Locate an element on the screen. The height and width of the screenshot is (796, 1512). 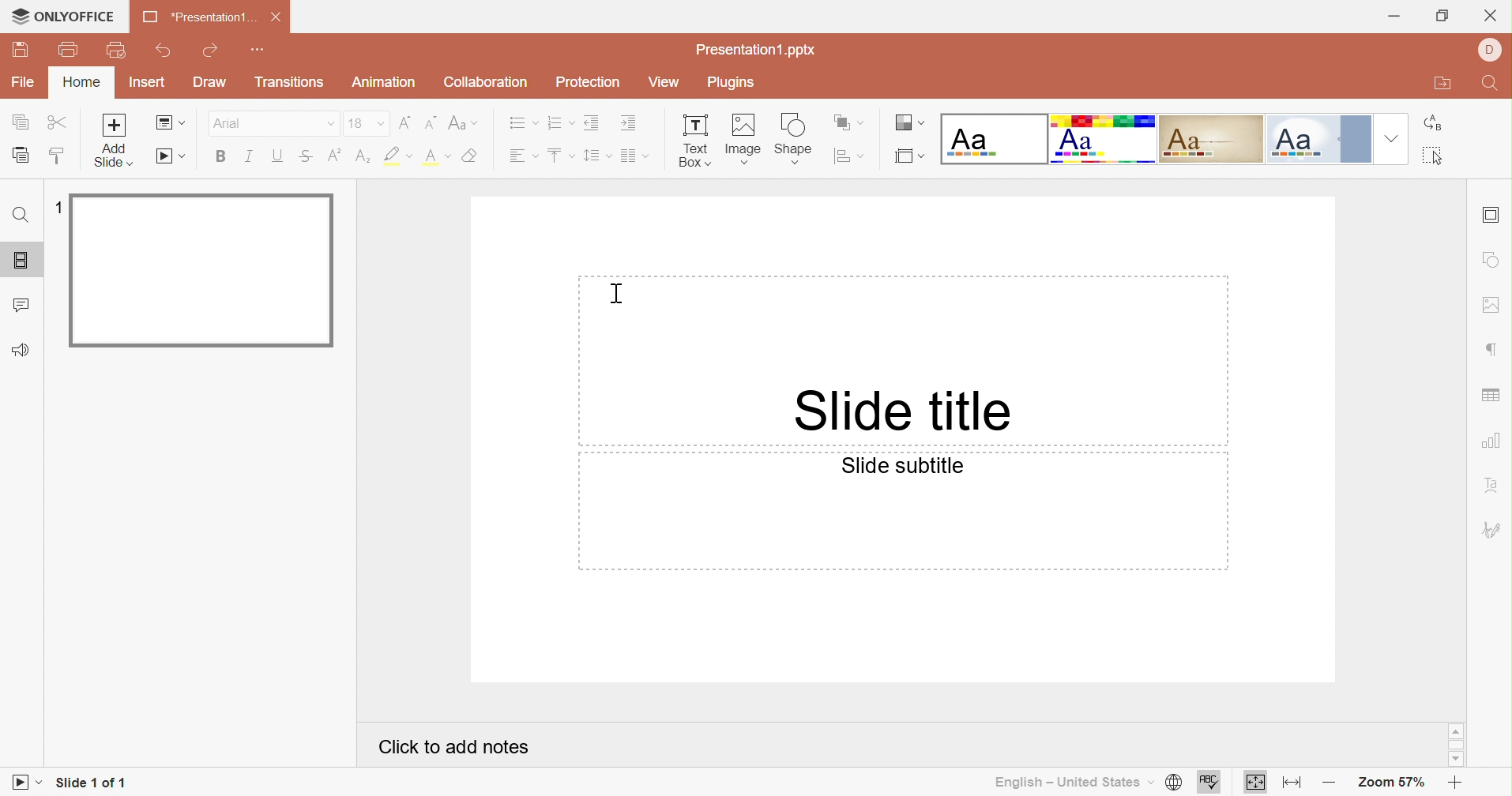
Official is located at coordinates (1318, 138).